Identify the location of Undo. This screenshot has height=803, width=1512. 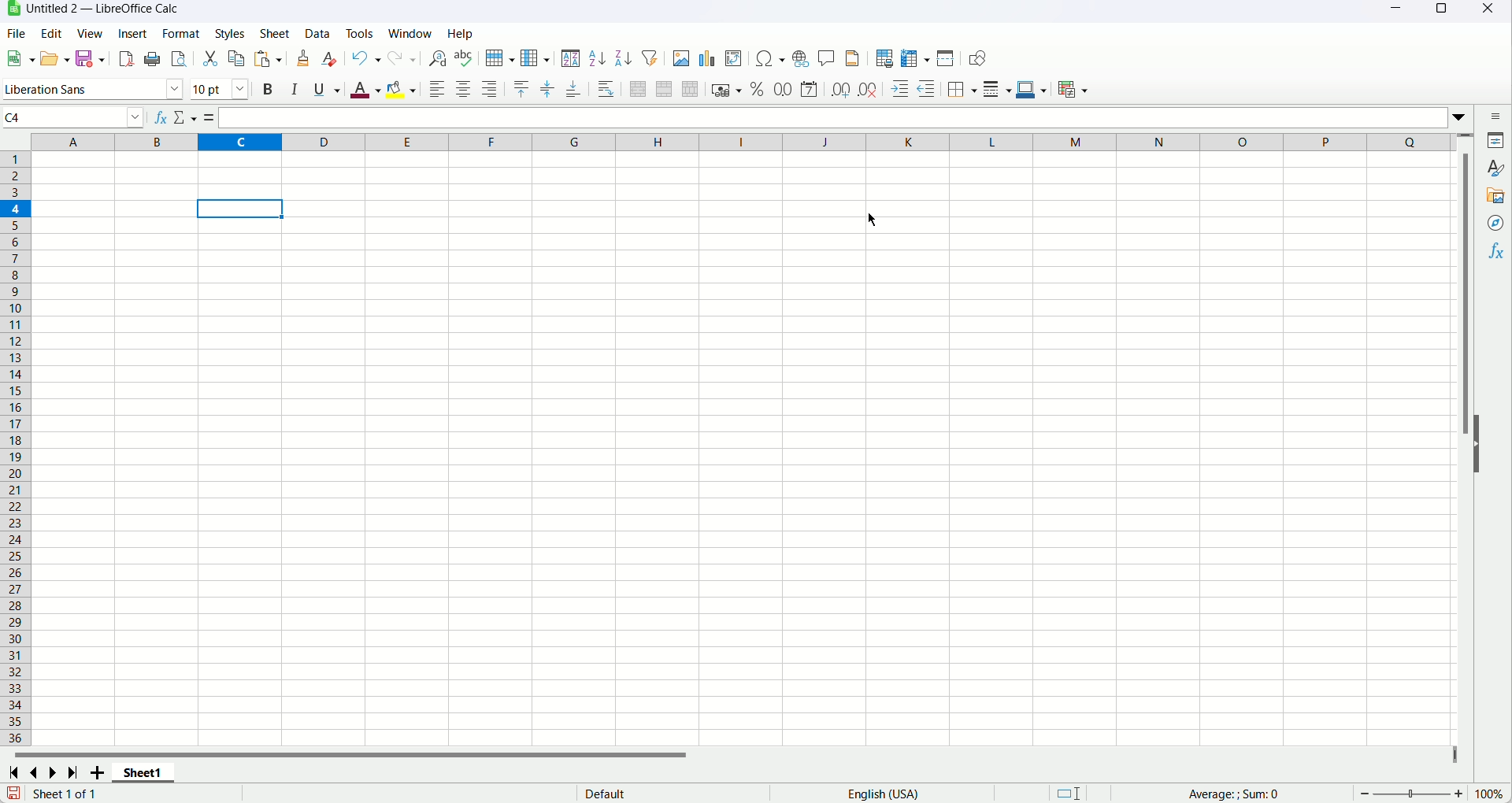
(367, 57).